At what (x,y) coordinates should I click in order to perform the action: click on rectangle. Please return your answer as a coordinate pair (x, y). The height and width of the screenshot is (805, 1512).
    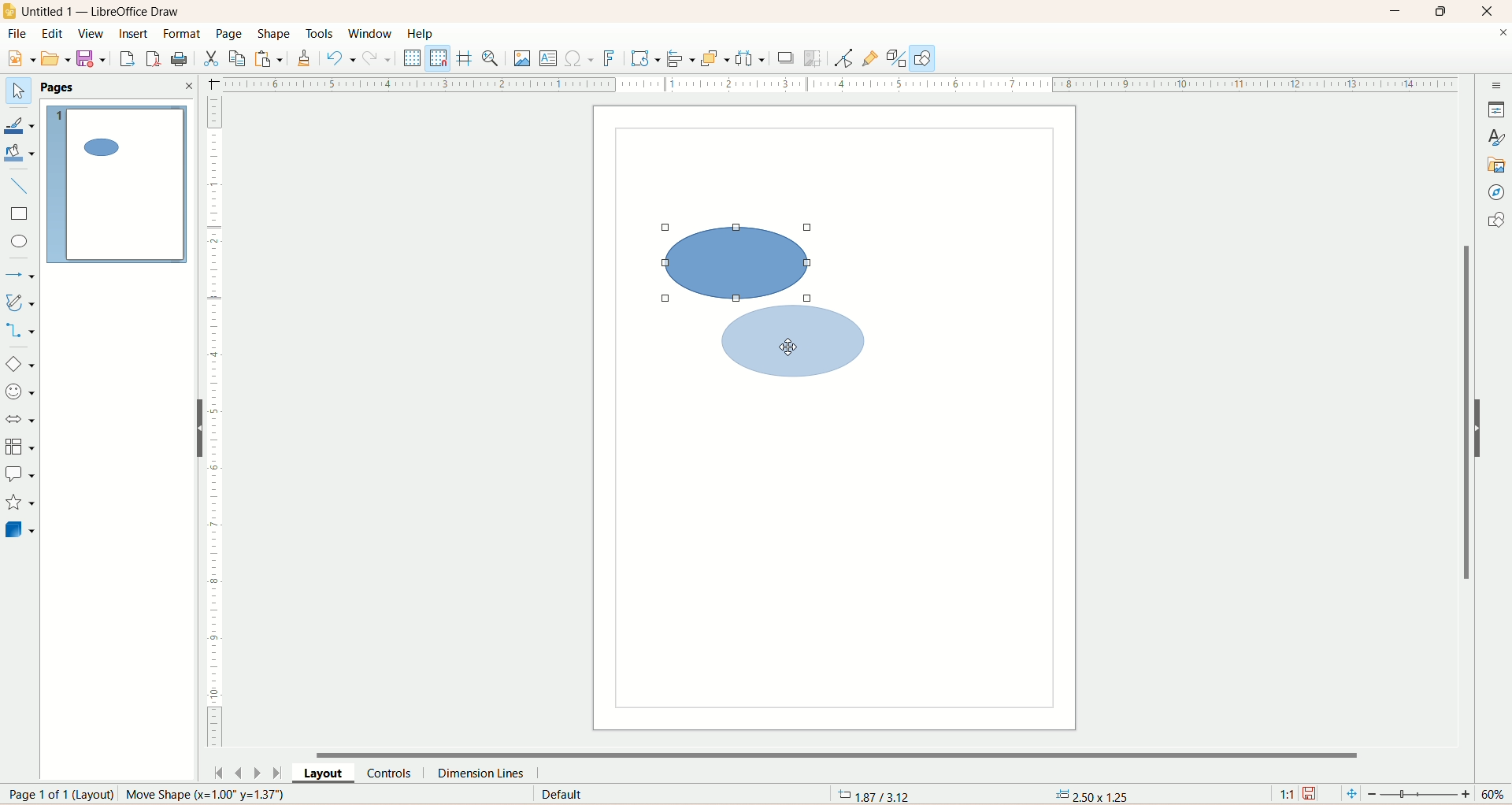
    Looking at the image, I should click on (21, 213).